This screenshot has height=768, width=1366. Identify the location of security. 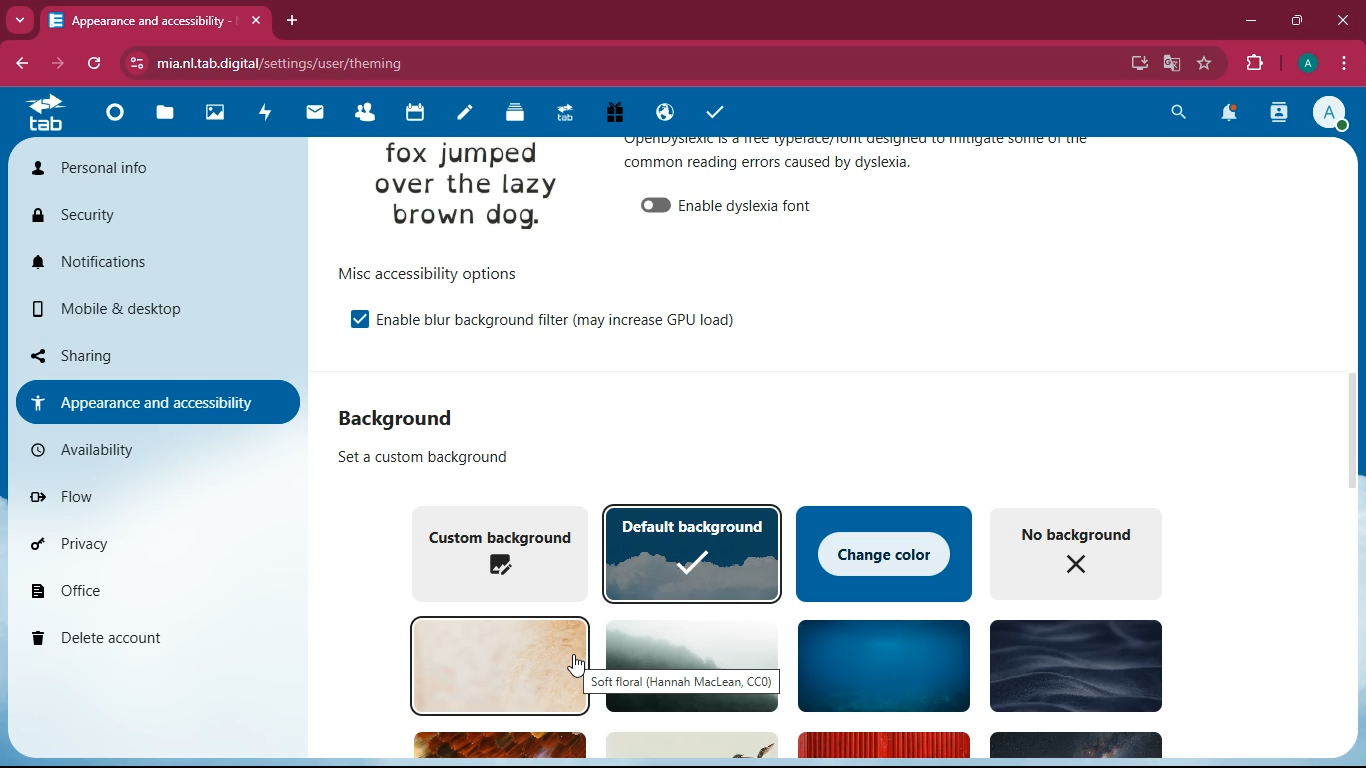
(153, 218).